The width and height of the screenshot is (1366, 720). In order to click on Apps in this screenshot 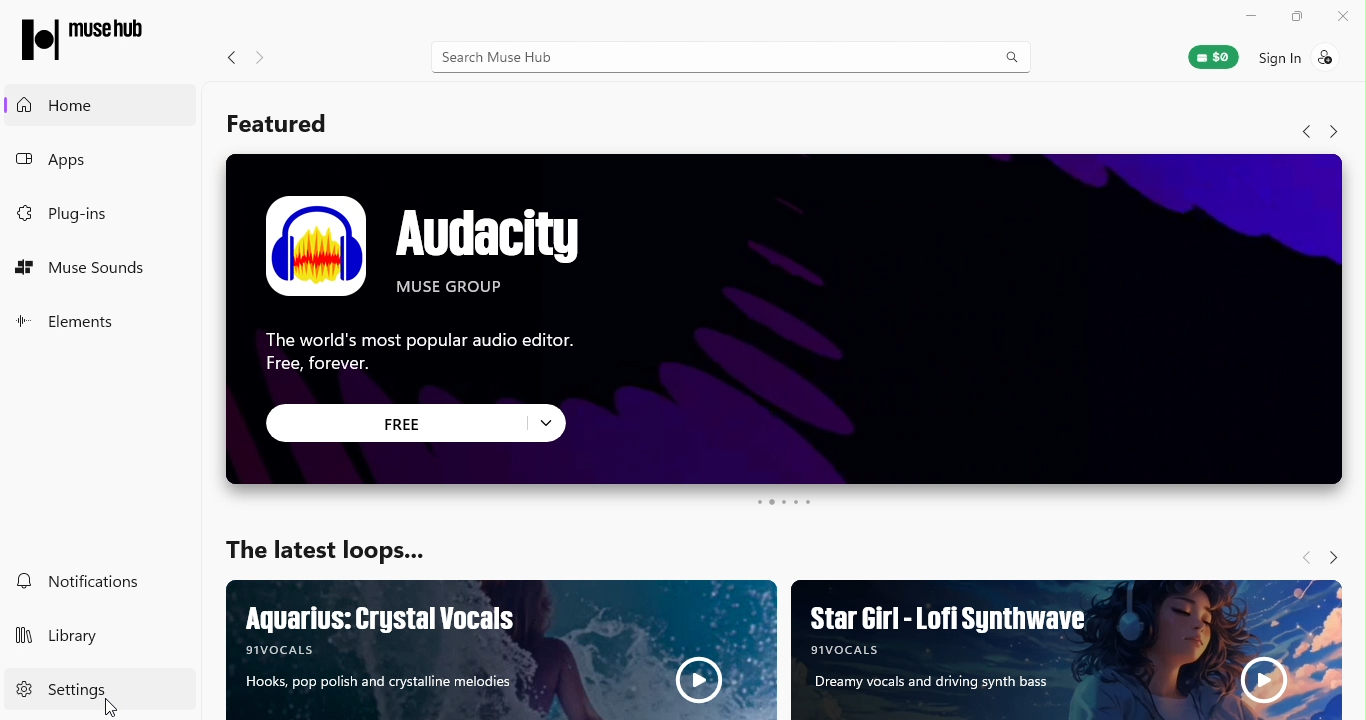, I will do `click(84, 161)`.